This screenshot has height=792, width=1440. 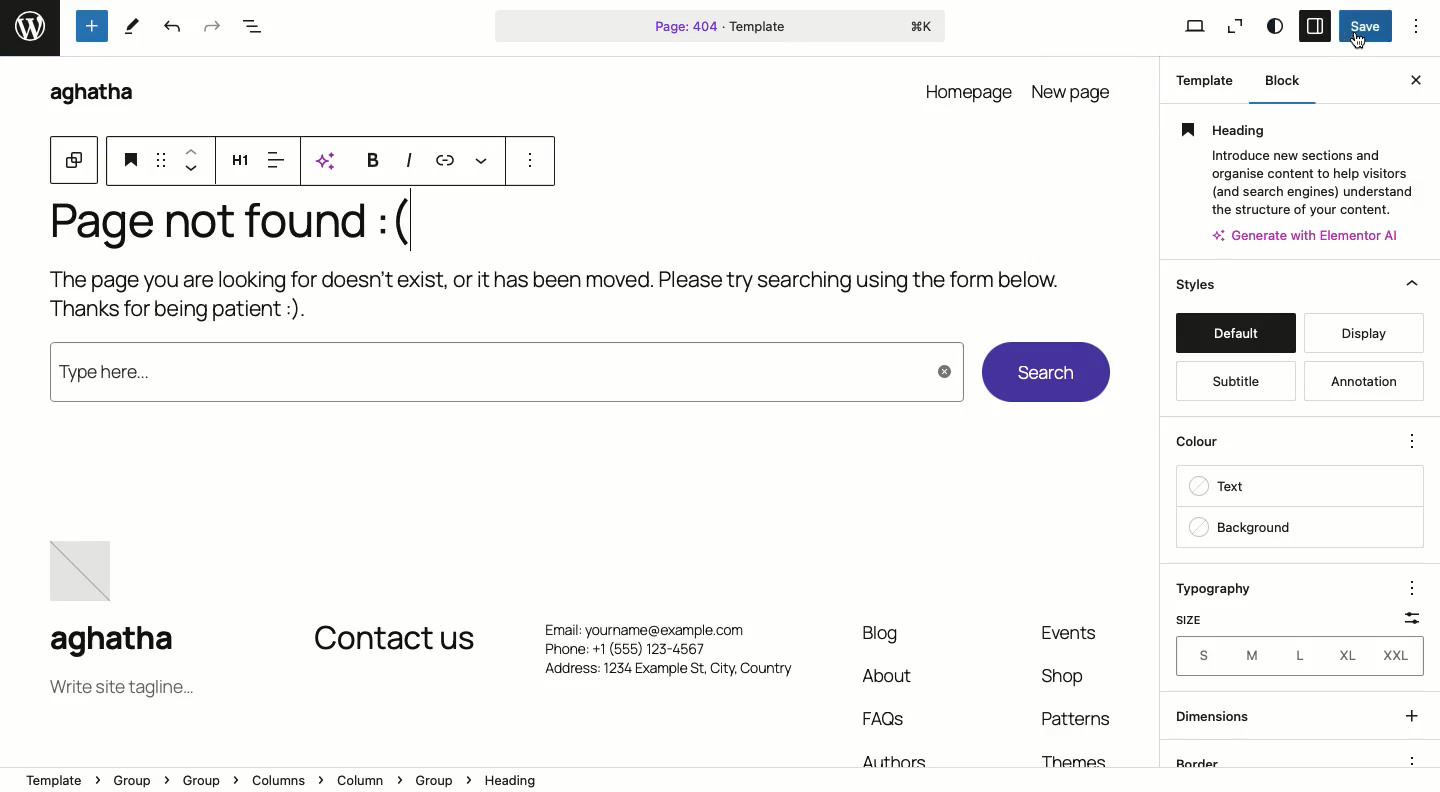 What do you see at coordinates (1303, 235) in the screenshot?
I see `4: Generate with Elemento Al` at bounding box center [1303, 235].